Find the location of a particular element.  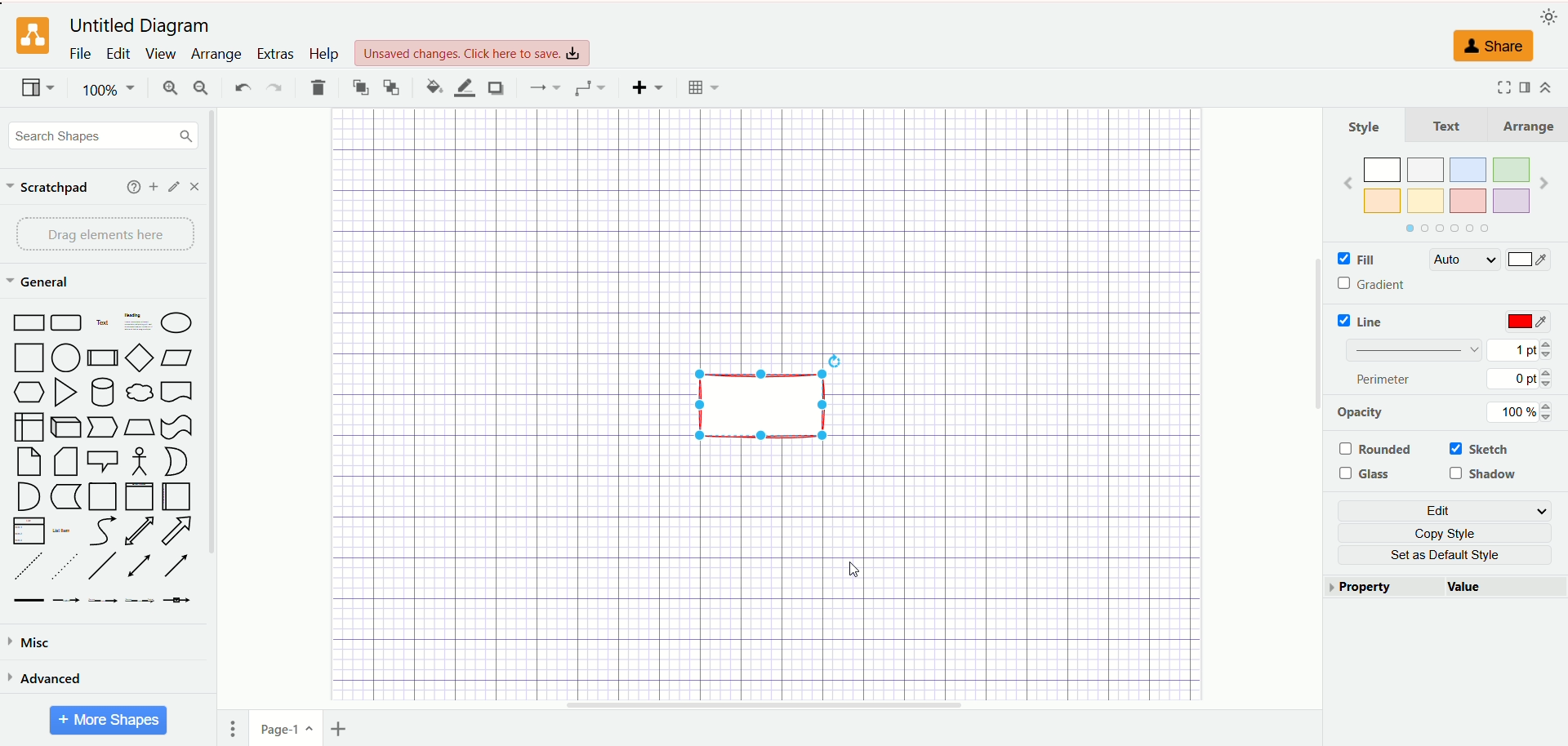

to front is located at coordinates (359, 87).